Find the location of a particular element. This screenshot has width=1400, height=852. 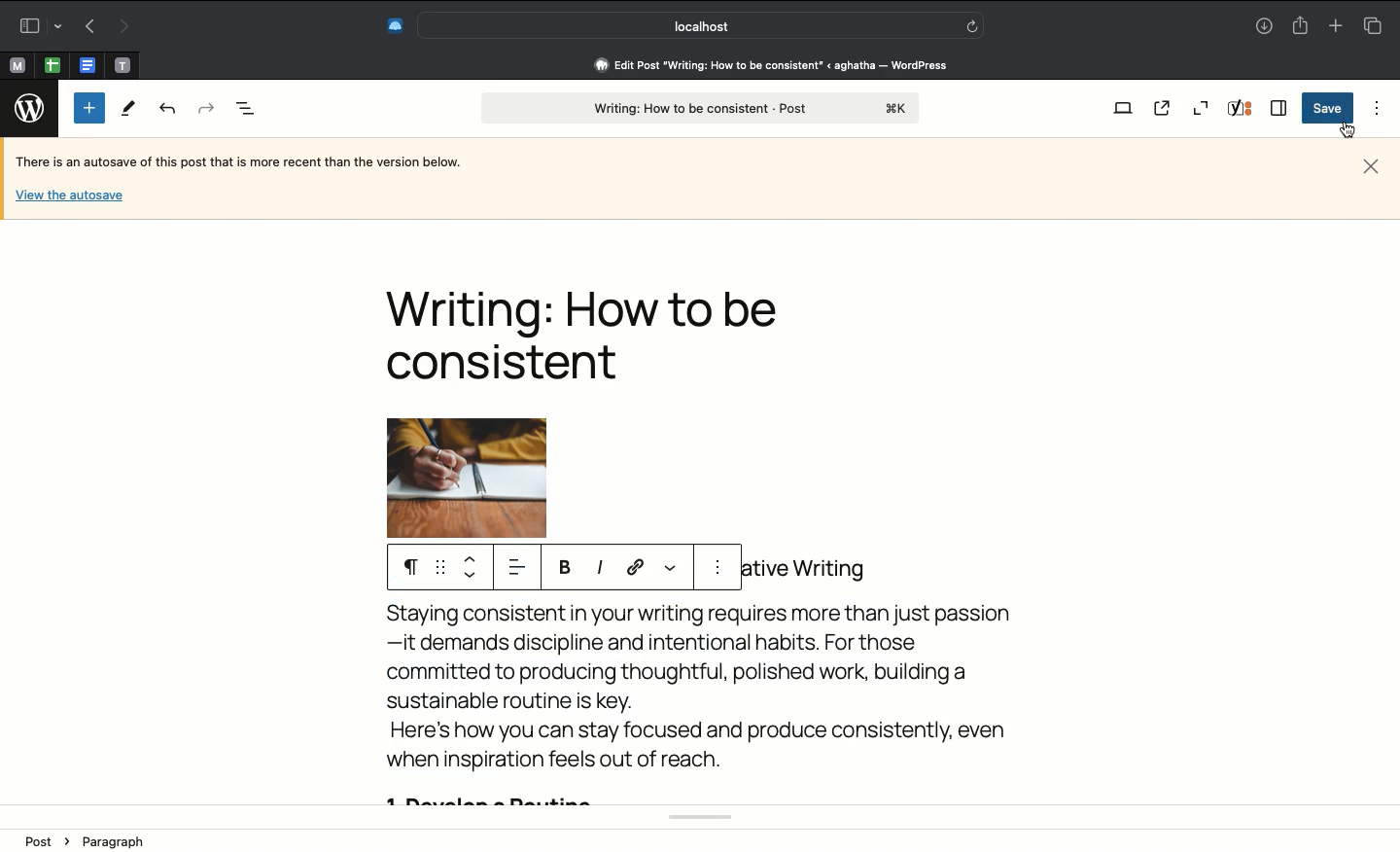

Tabs is located at coordinates (1372, 25).